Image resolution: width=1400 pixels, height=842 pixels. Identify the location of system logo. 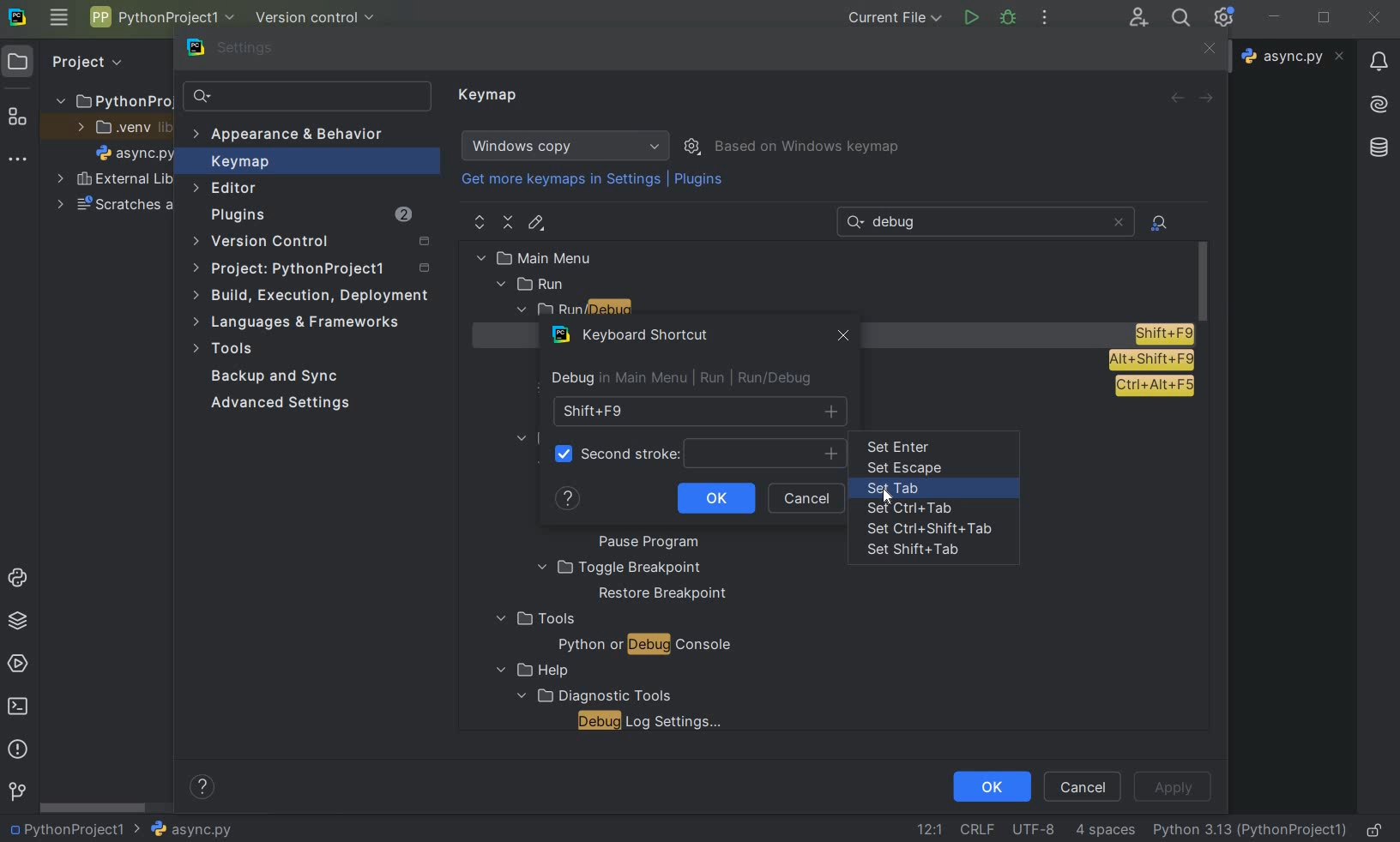
(16, 15).